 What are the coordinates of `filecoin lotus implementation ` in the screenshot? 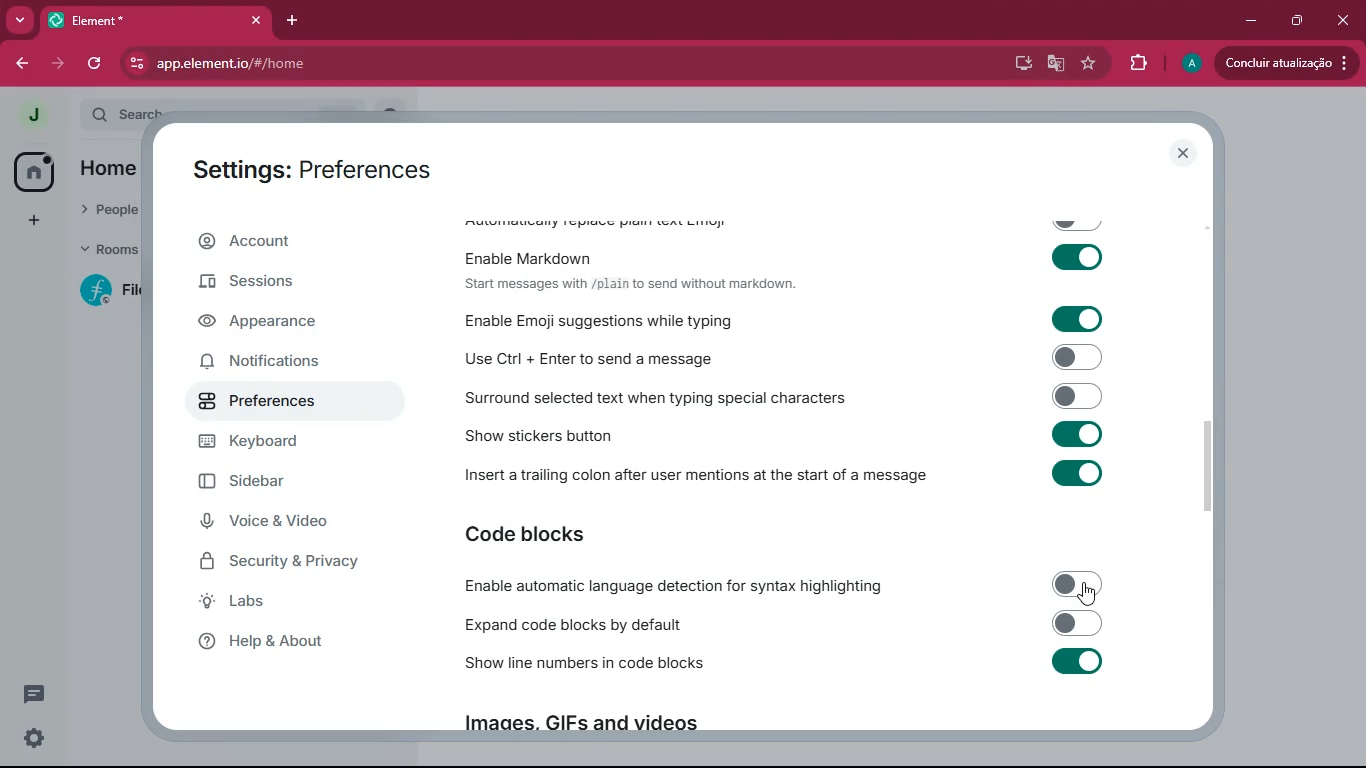 It's located at (114, 293).